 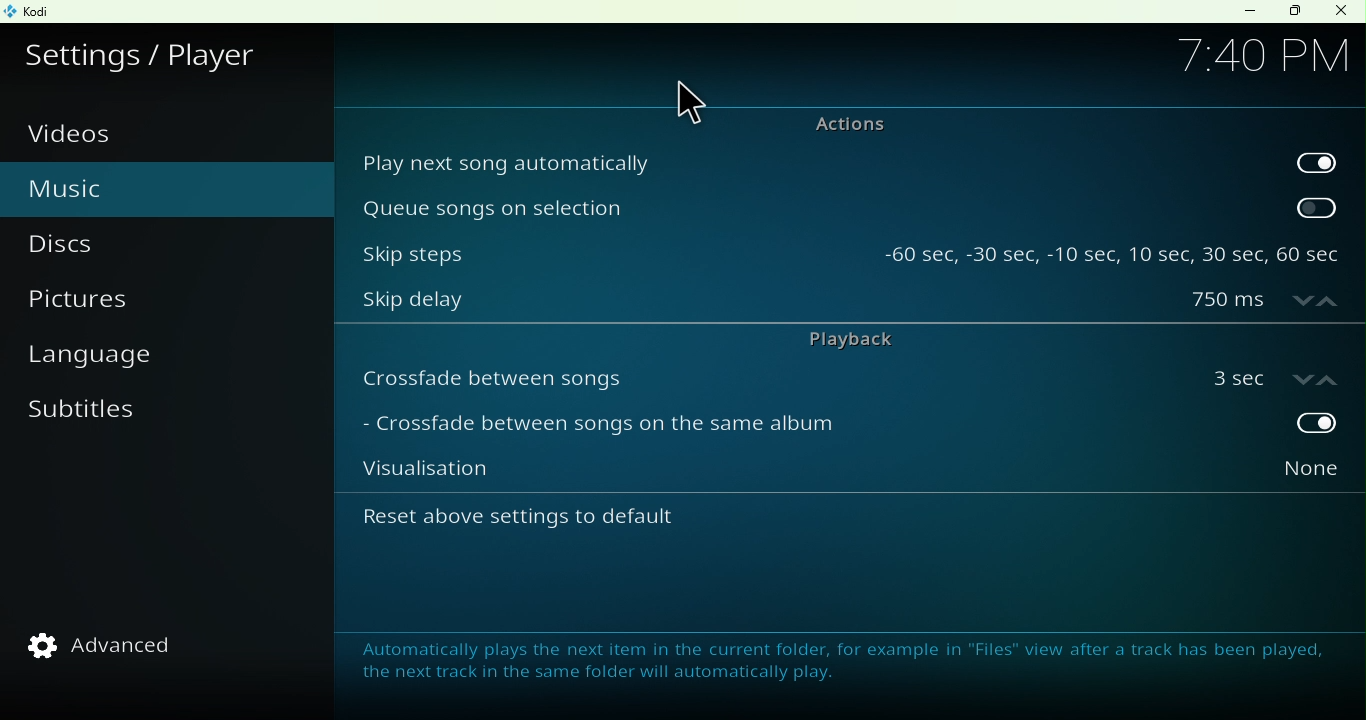 What do you see at coordinates (147, 51) in the screenshot?
I see `Settings/Player` at bounding box center [147, 51].